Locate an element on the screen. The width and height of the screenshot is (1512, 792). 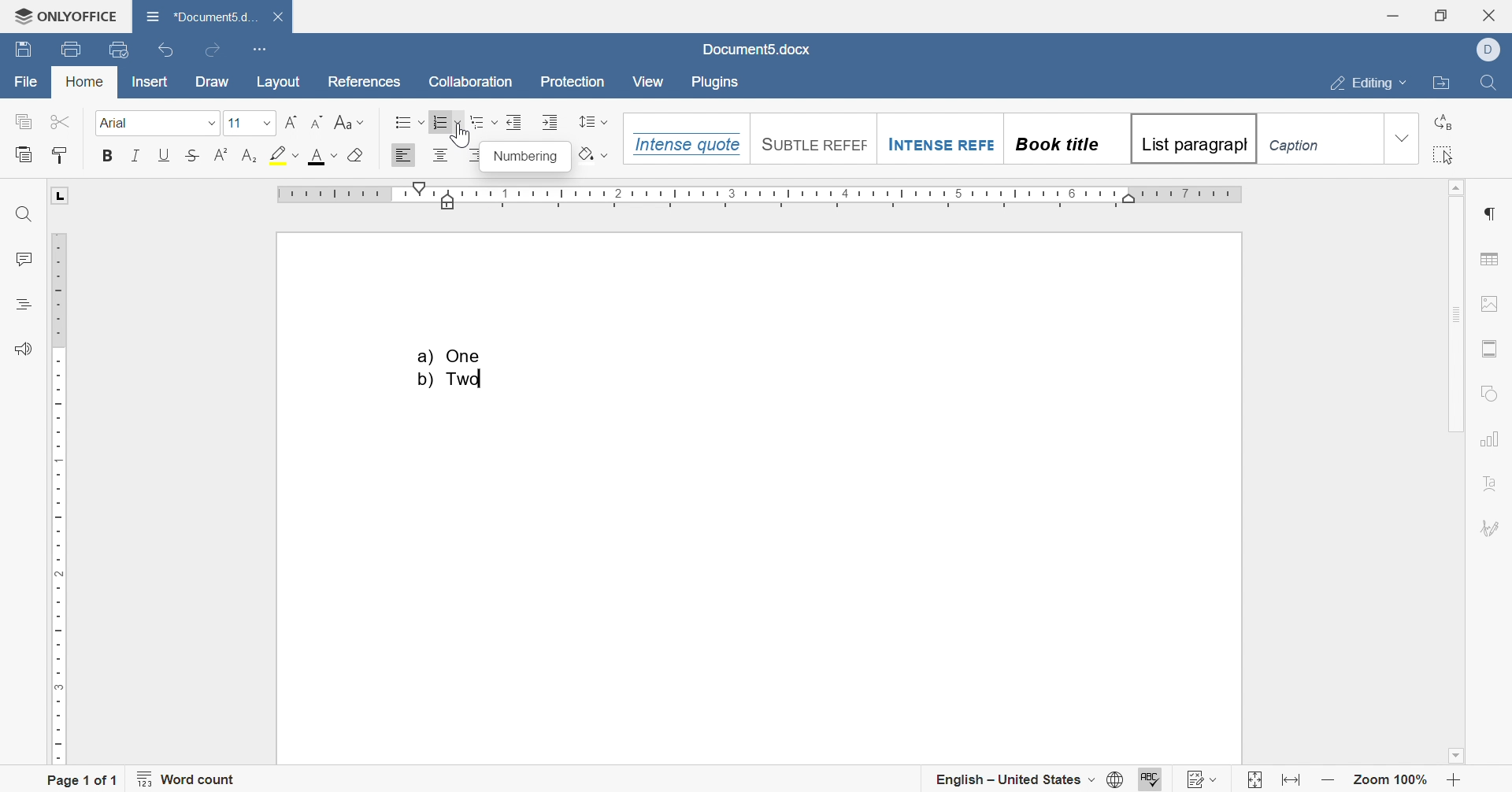
layout is located at coordinates (278, 82).